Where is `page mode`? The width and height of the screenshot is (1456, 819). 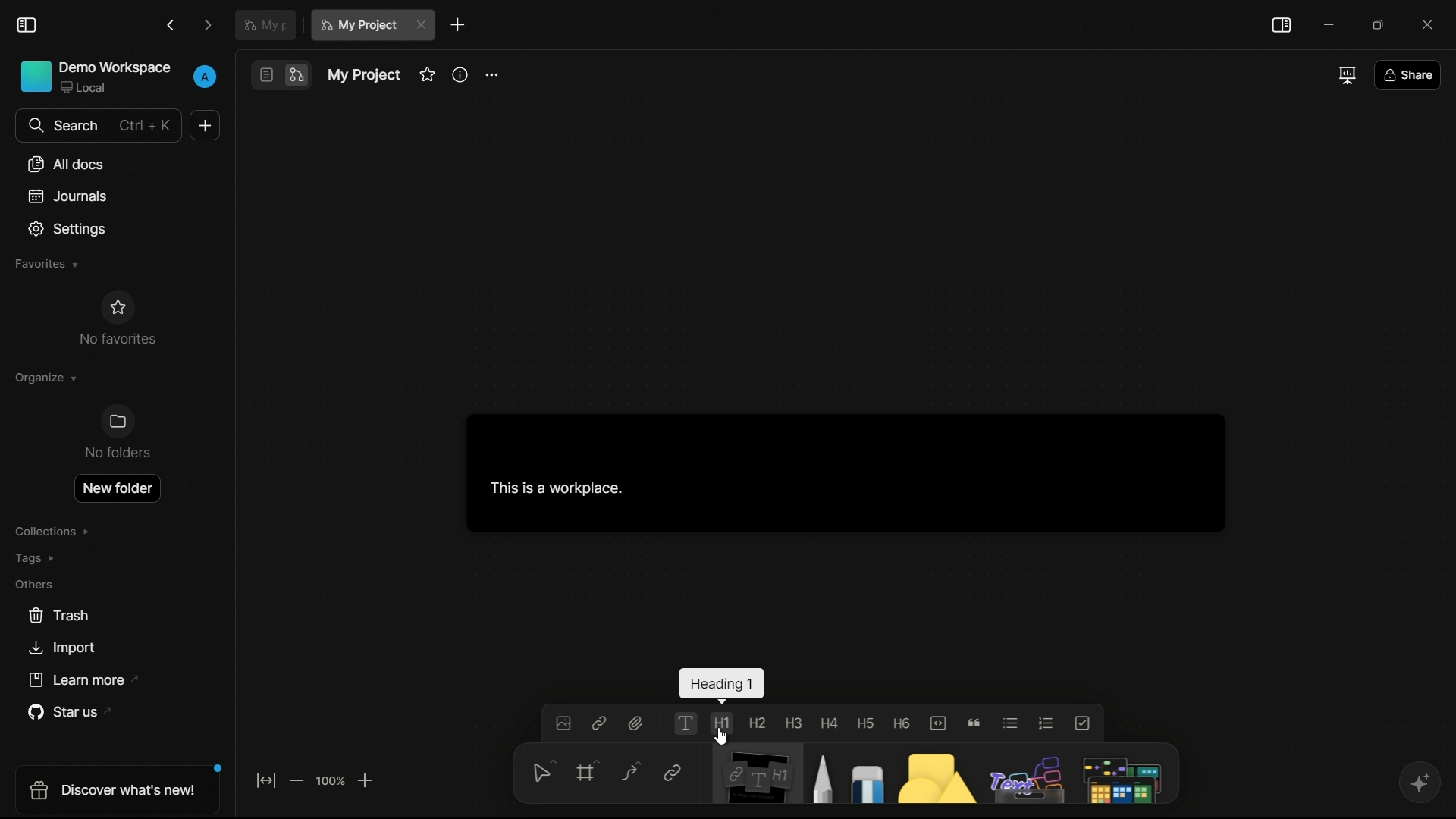 page mode is located at coordinates (266, 74).